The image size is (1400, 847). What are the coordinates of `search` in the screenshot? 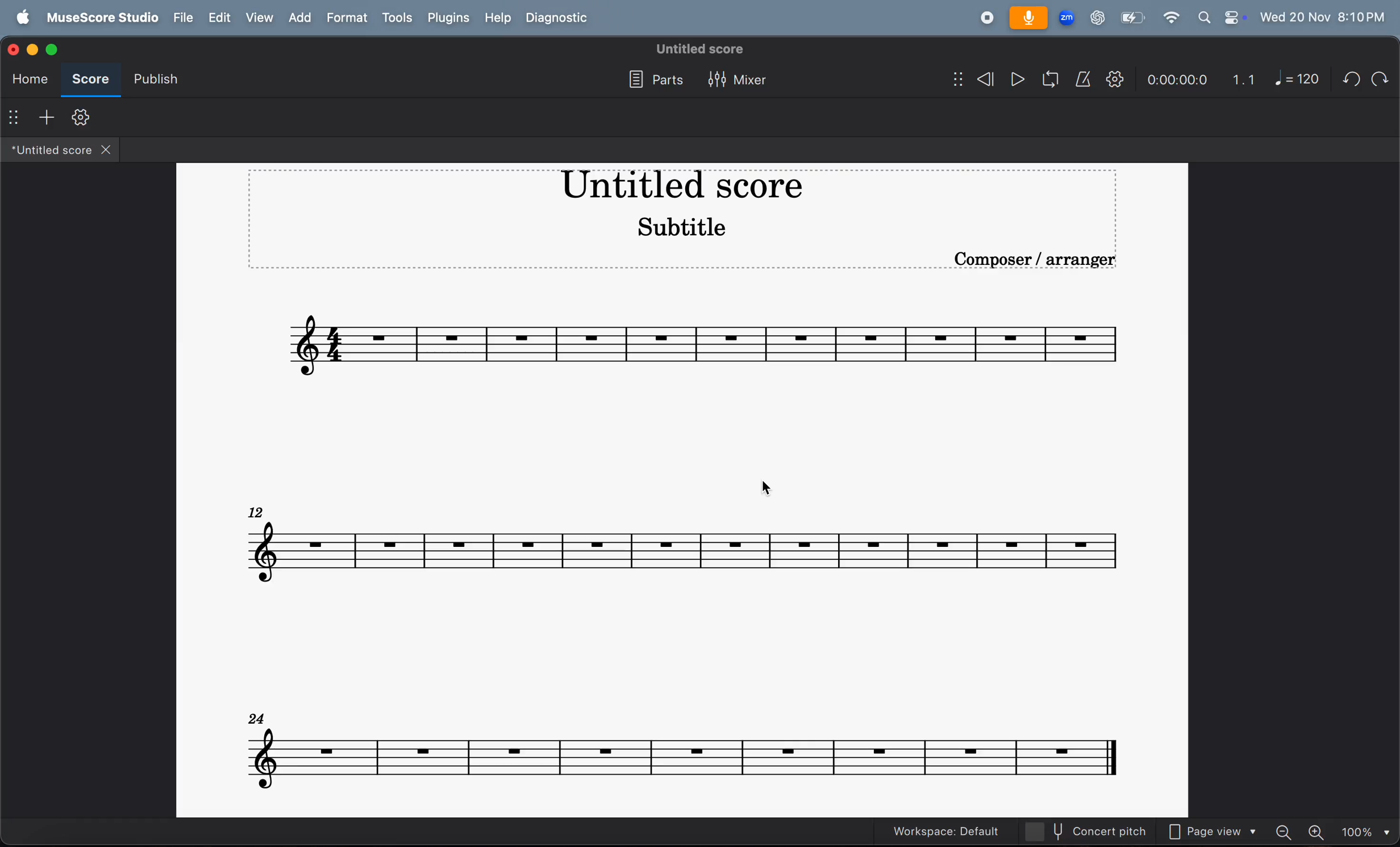 It's located at (1204, 16).